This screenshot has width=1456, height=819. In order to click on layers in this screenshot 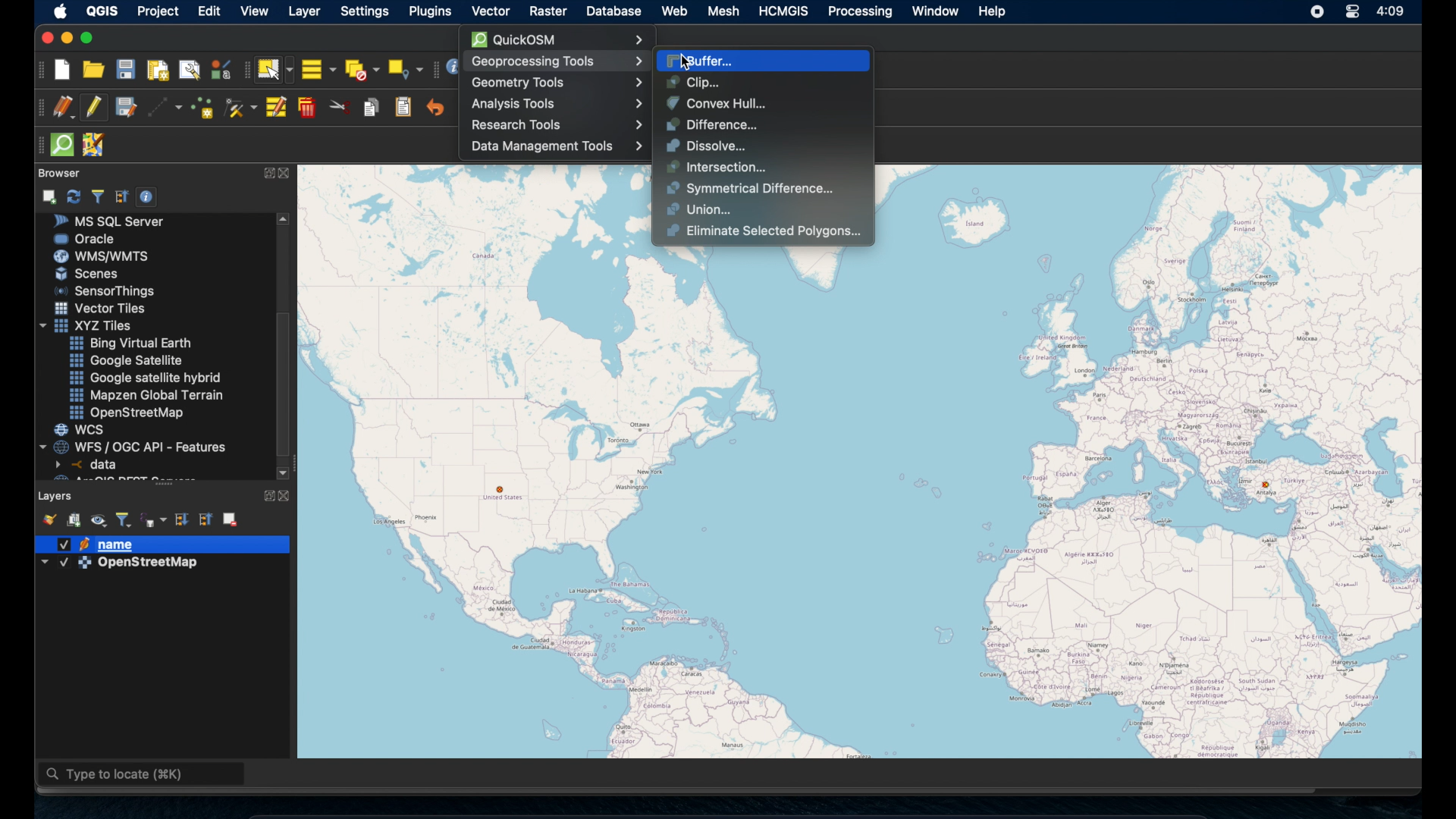, I will do `click(56, 494)`.